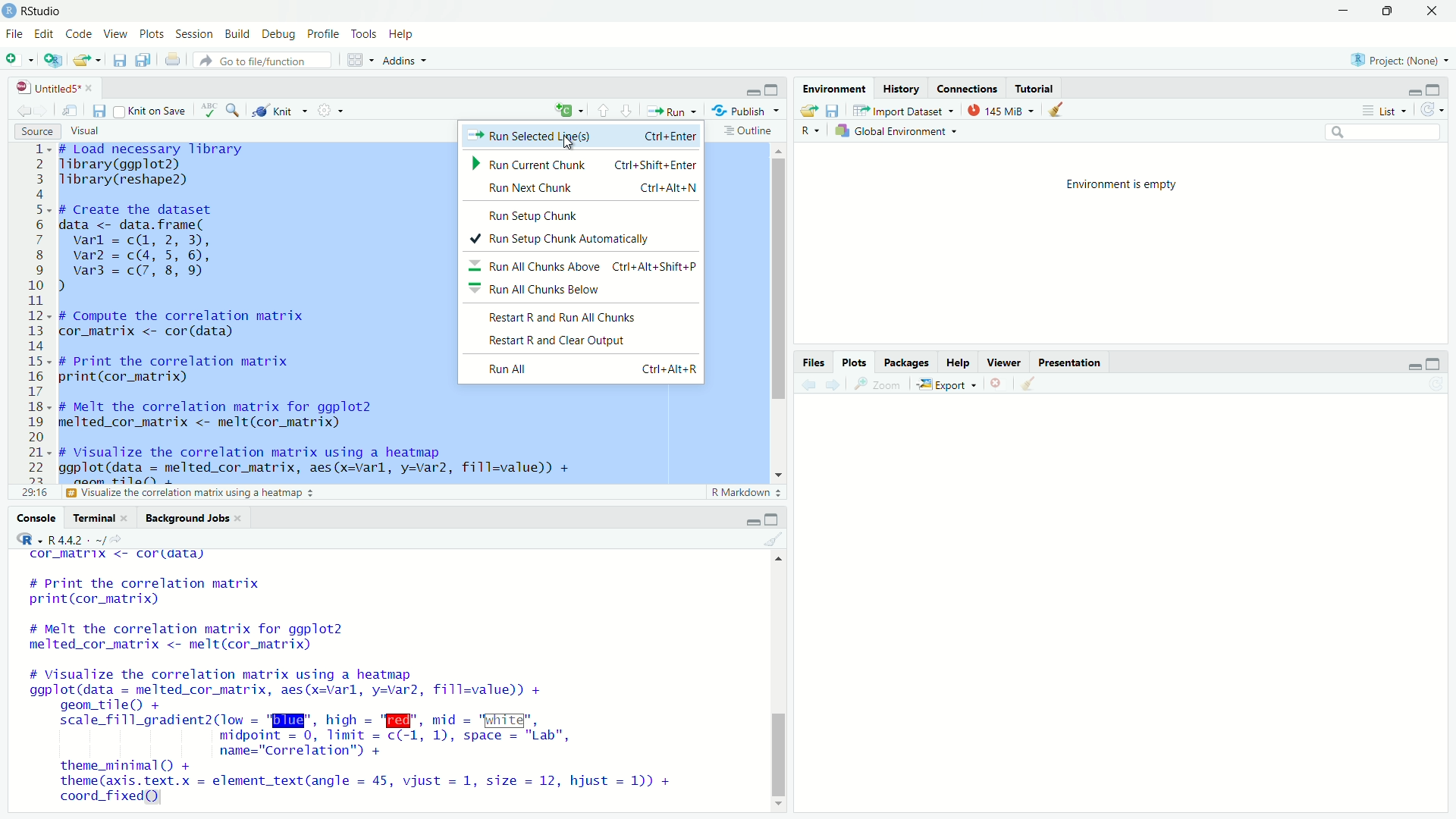  What do you see at coordinates (570, 111) in the screenshot?
I see `language select` at bounding box center [570, 111].